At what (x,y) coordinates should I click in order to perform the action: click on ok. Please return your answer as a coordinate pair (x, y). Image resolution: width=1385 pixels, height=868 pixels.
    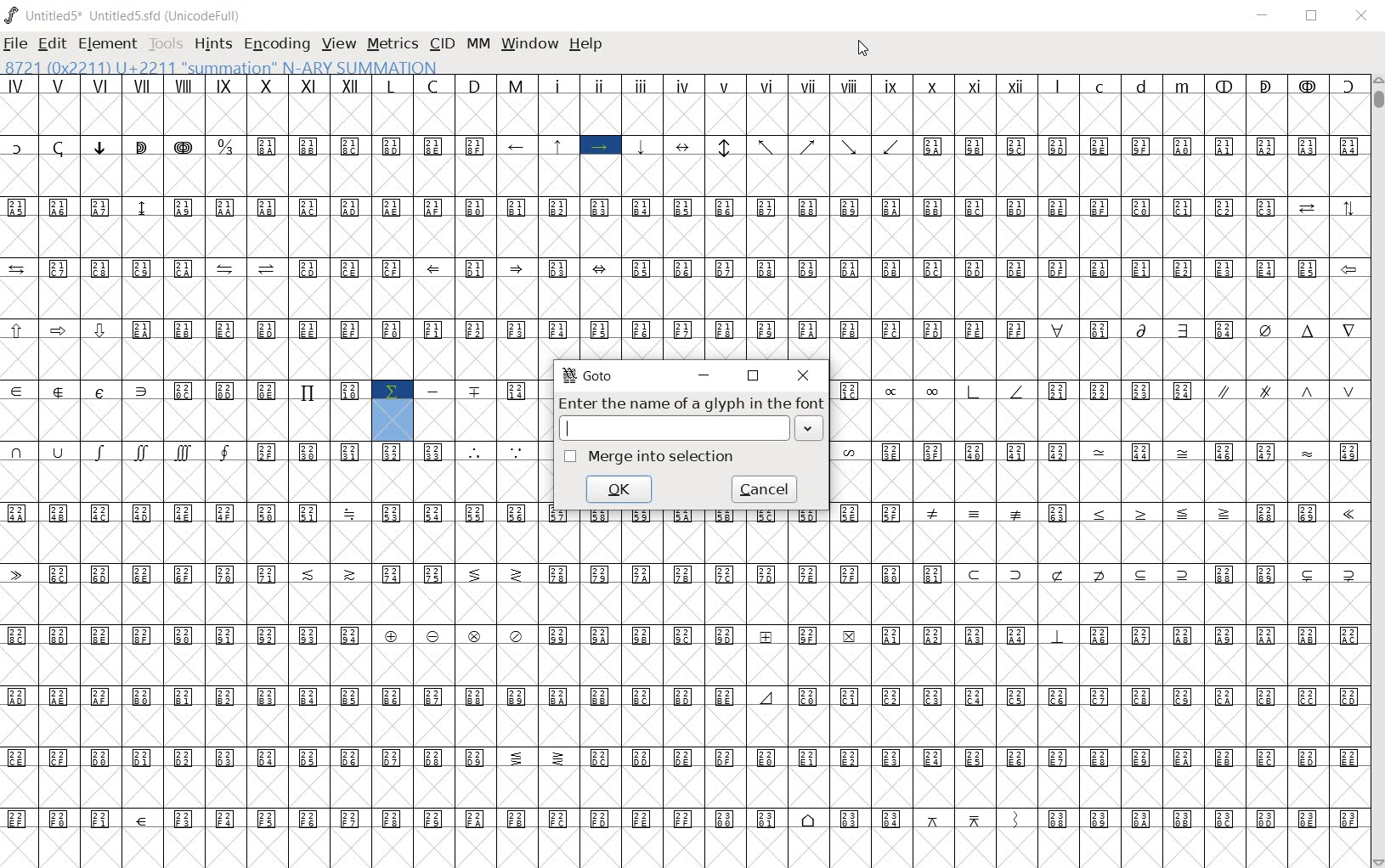
    Looking at the image, I should click on (619, 489).